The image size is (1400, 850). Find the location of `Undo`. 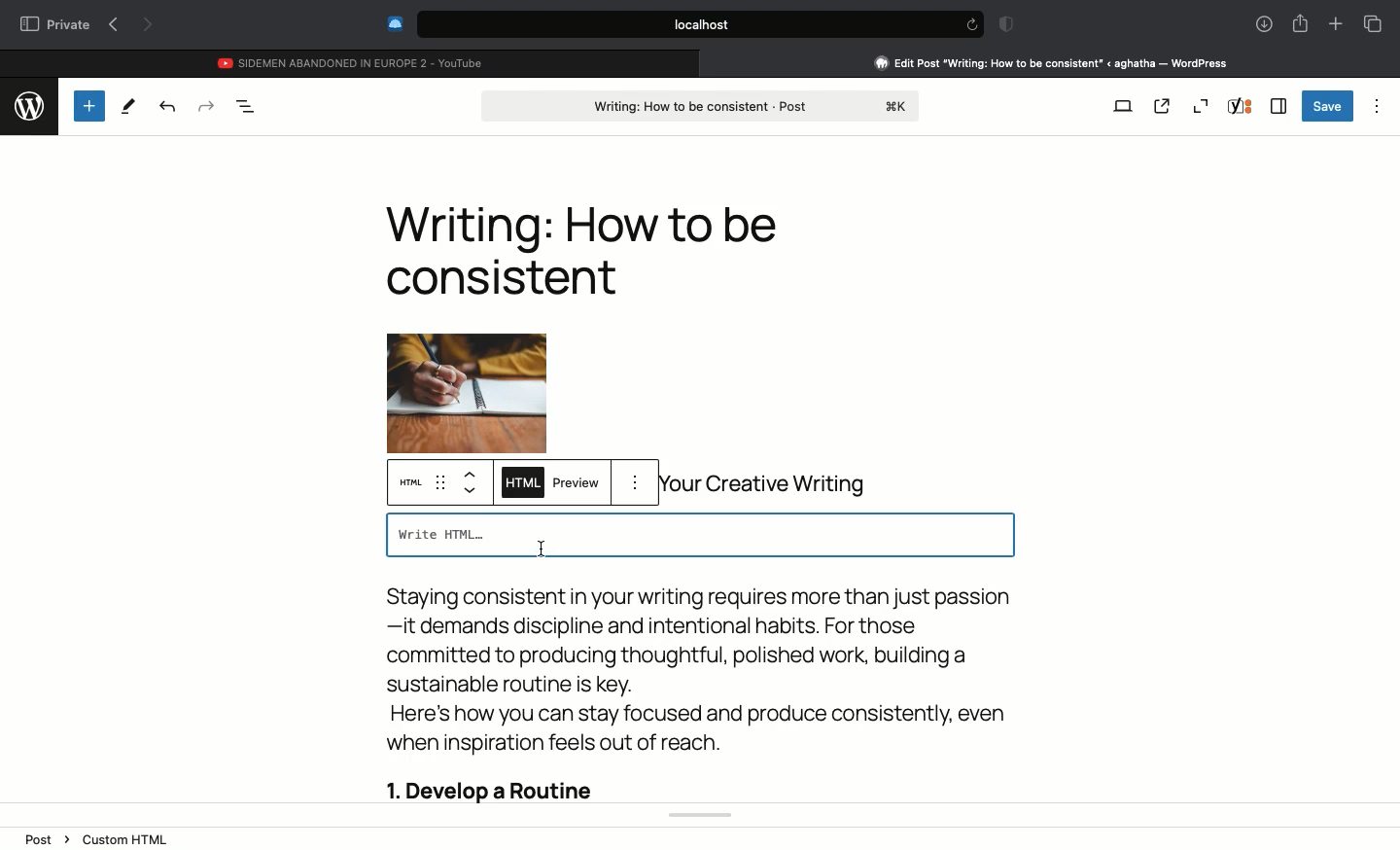

Undo is located at coordinates (167, 106).